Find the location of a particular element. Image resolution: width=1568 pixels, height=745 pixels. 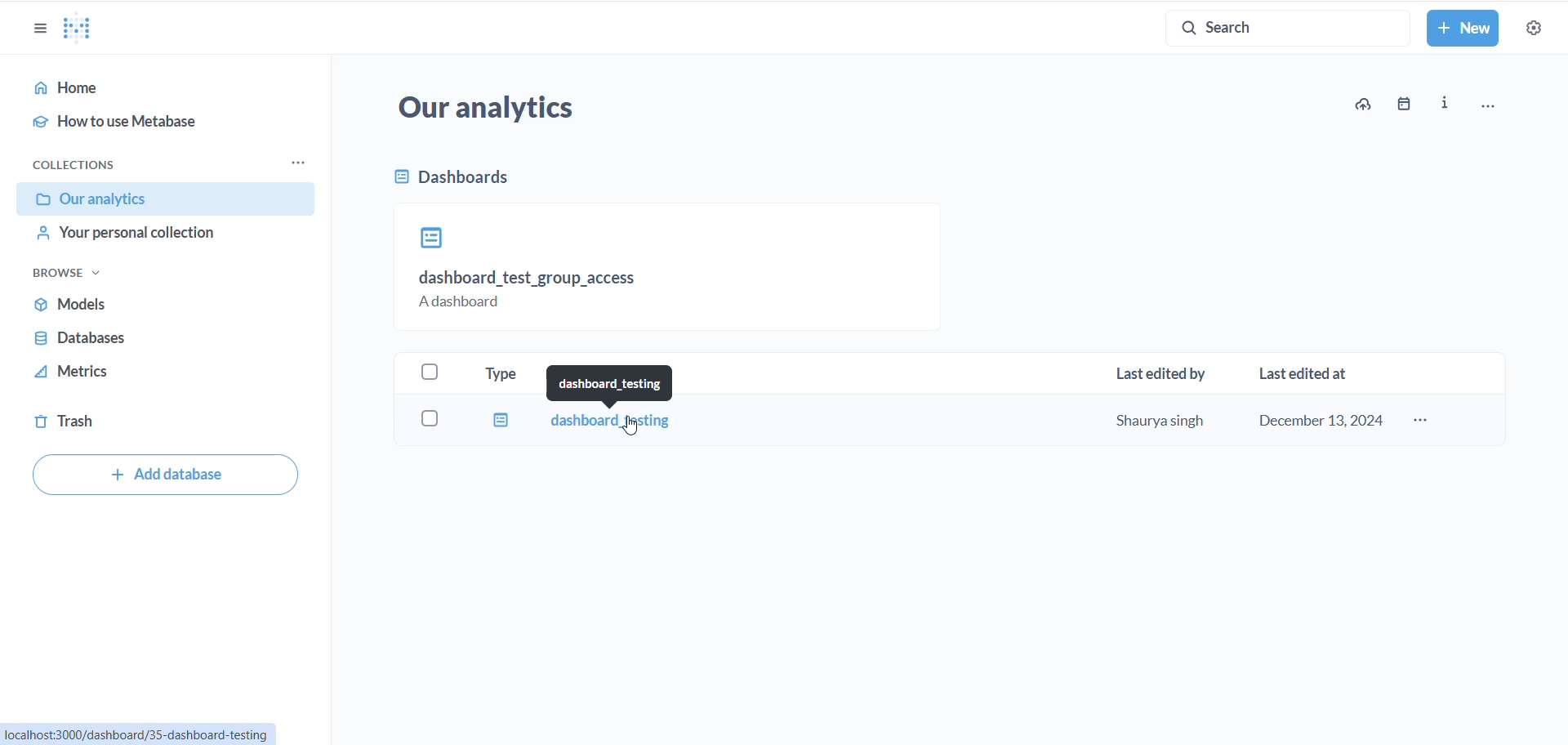

localhost:3000/dashboard/35-dashboard-testing is located at coordinates (139, 734).